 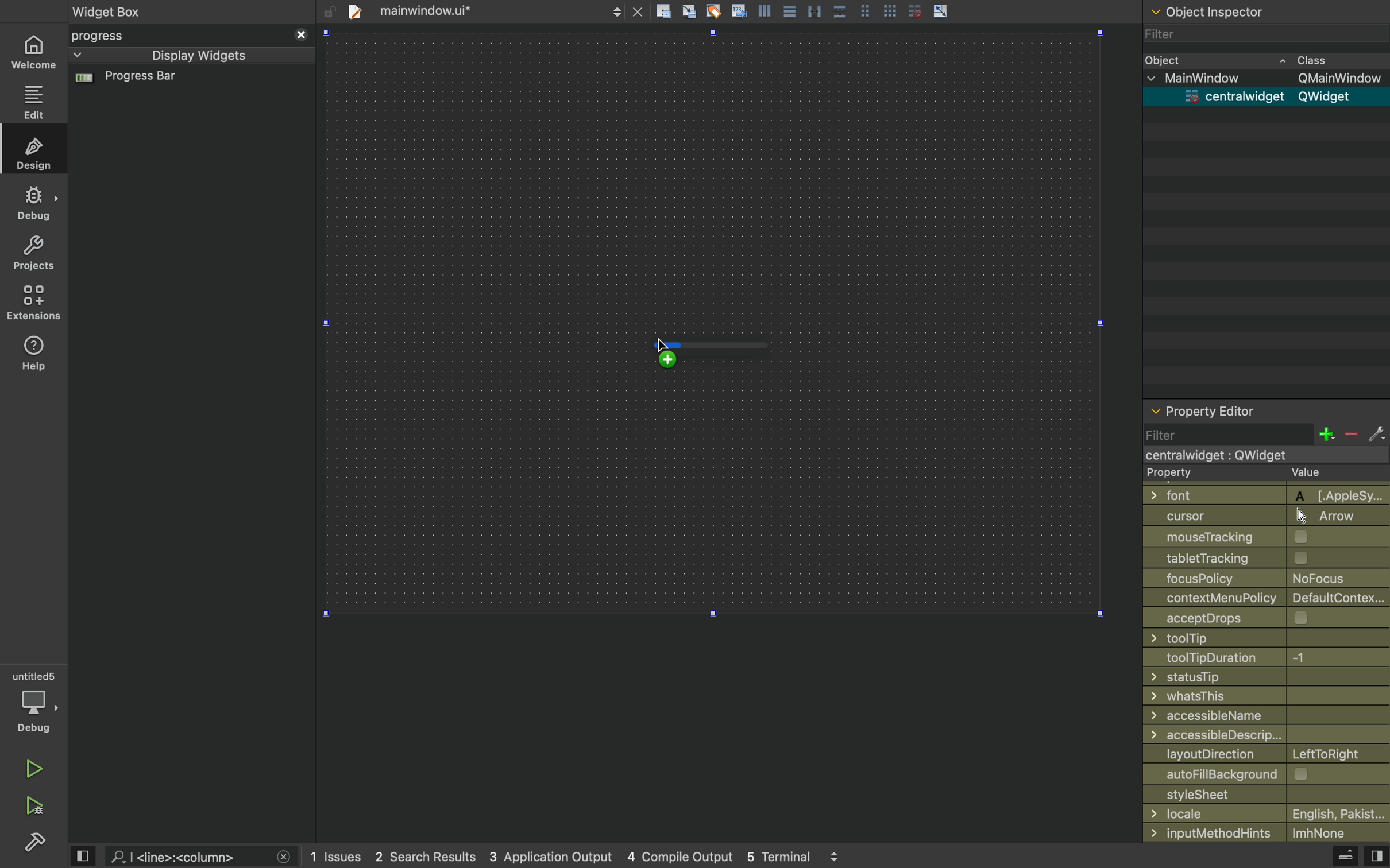 I want to click on progress br widget, so click(x=188, y=83).